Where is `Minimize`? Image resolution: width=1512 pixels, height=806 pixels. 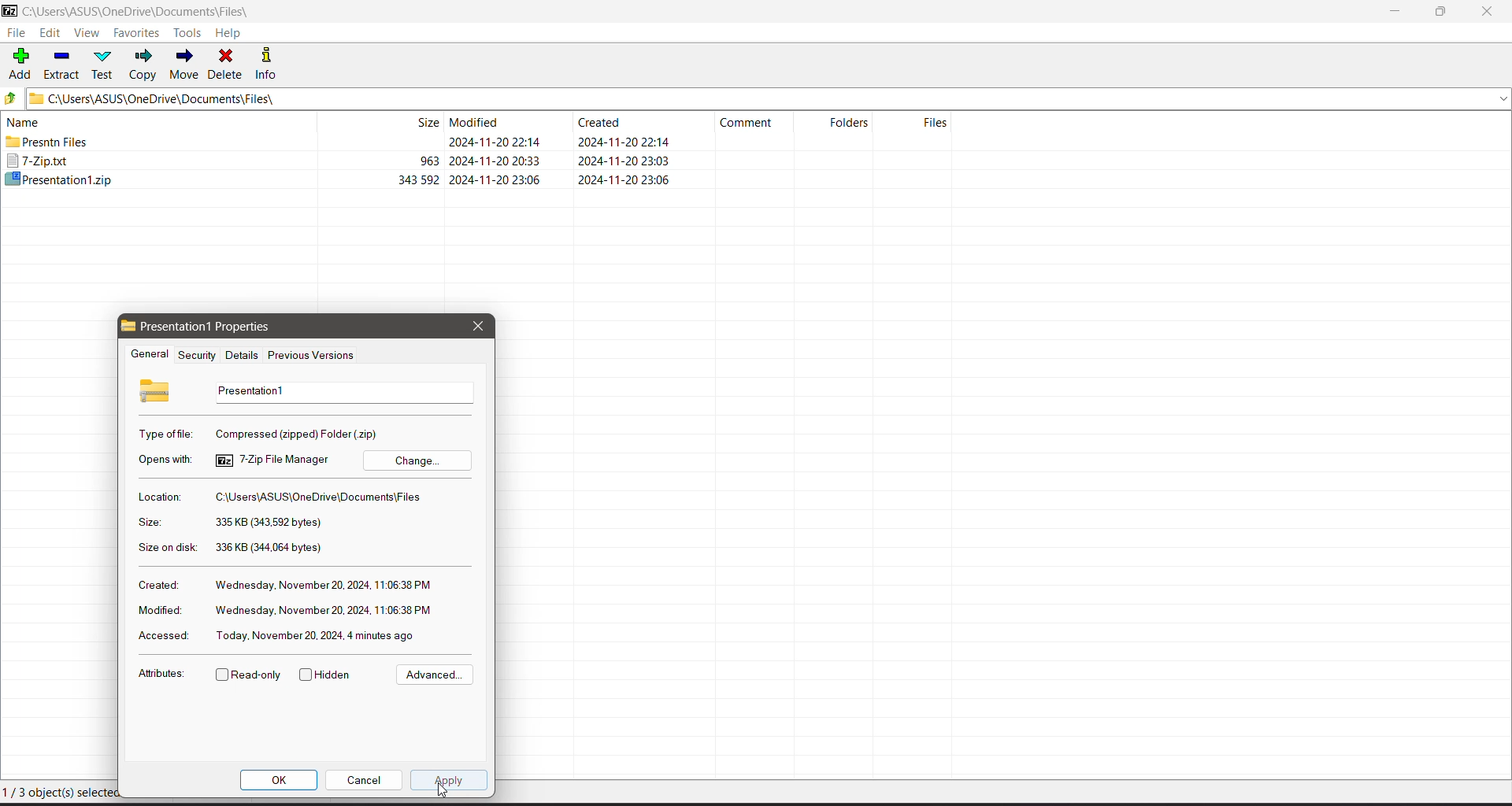
Minimize is located at coordinates (1395, 12).